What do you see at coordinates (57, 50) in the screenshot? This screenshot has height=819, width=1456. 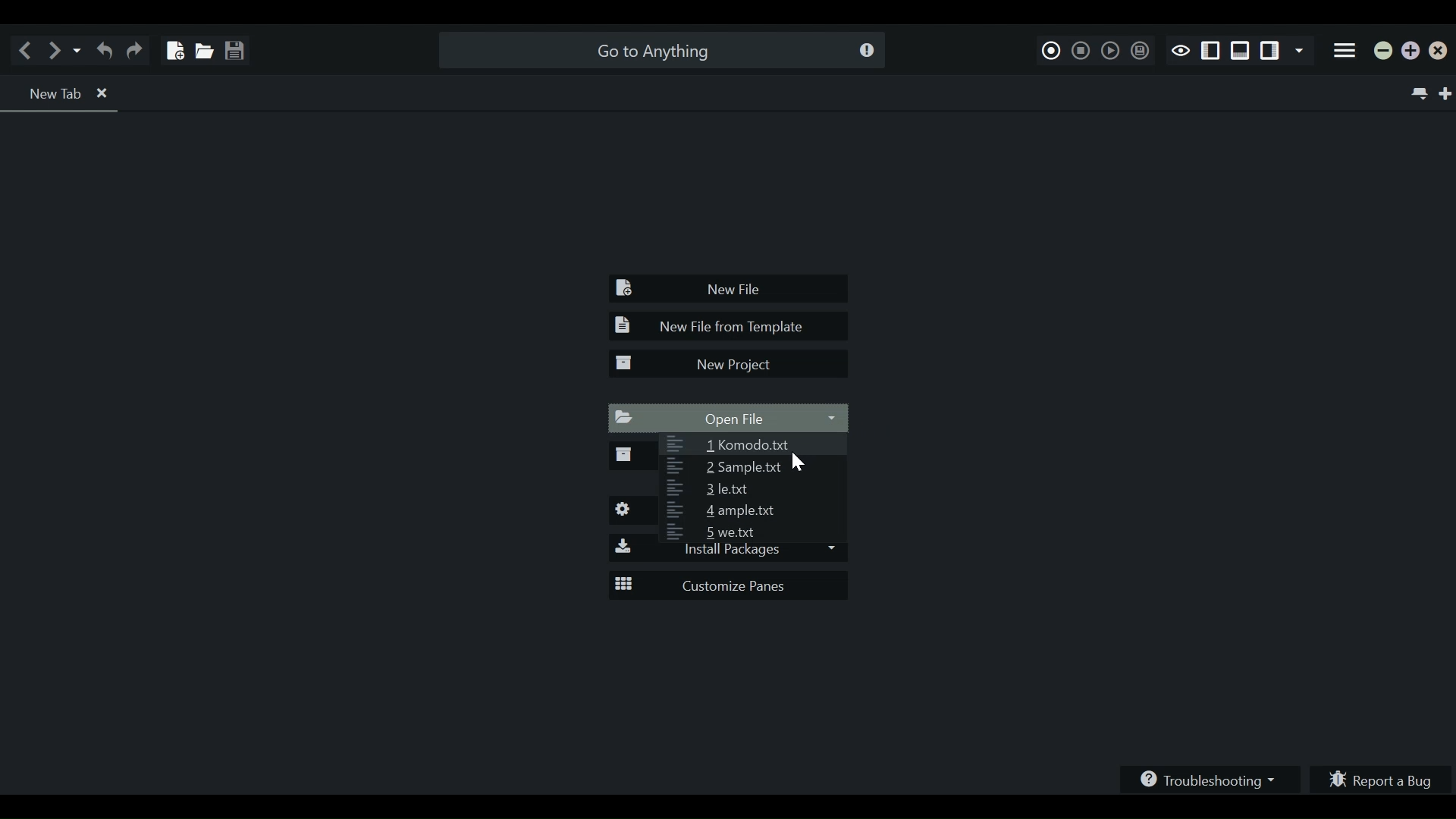 I see `Go forward one location` at bounding box center [57, 50].